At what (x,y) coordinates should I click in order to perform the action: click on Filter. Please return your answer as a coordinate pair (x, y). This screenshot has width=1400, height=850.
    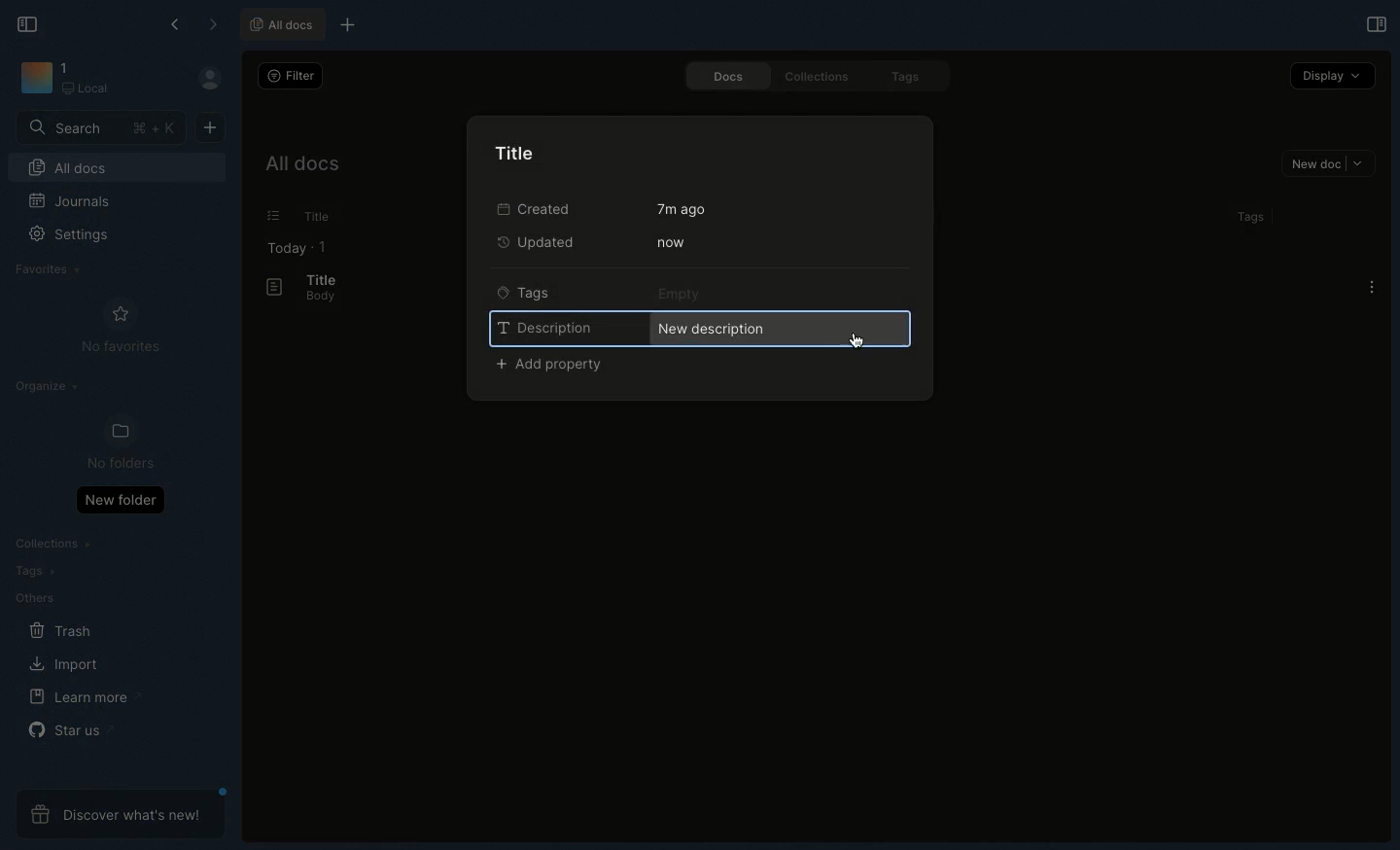
    Looking at the image, I should click on (288, 75).